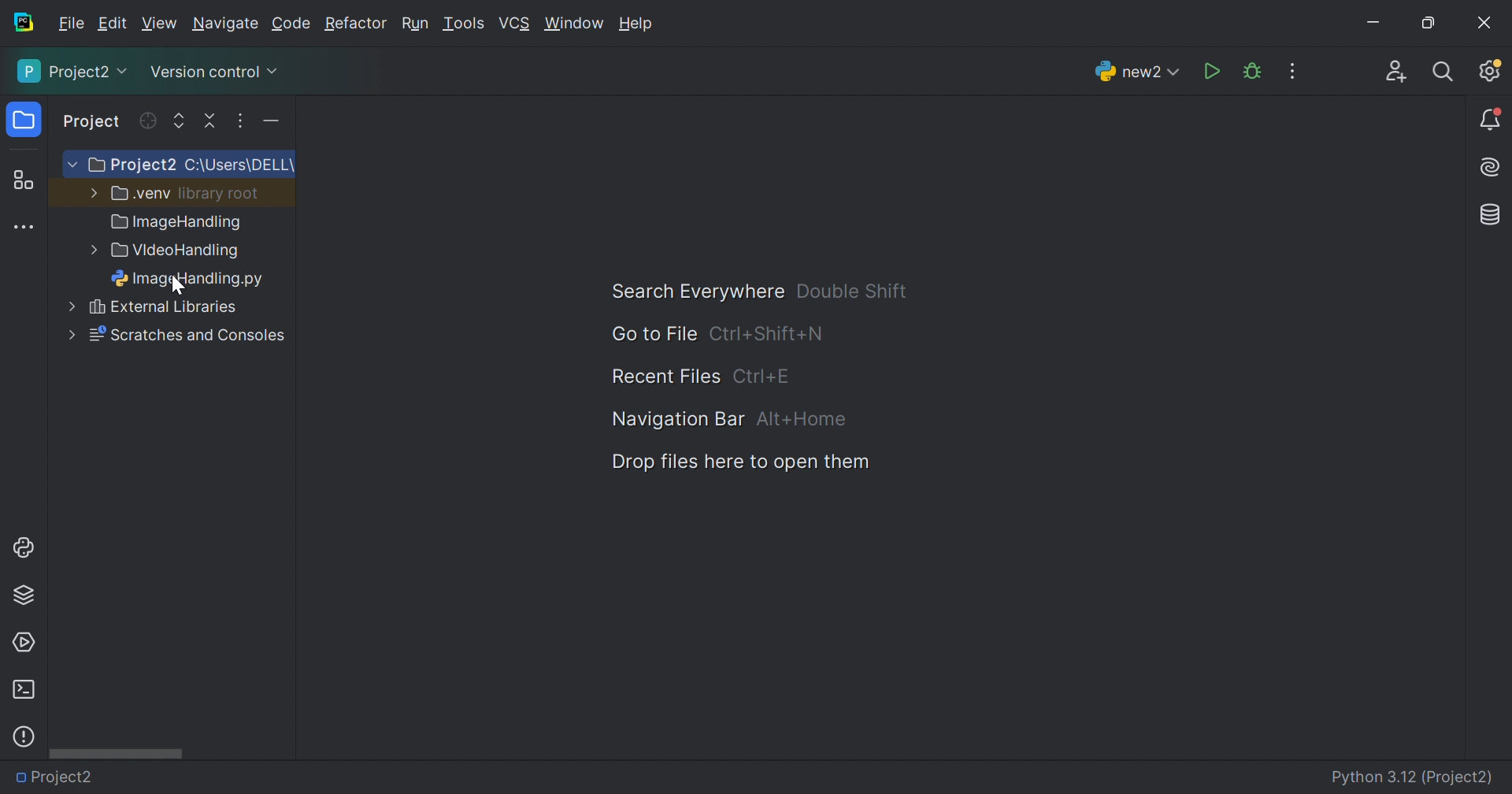 This screenshot has height=794, width=1512. What do you see at coordinates (294, 24) in the screenshot?
I see `Code` at bounding box center [294, 24].